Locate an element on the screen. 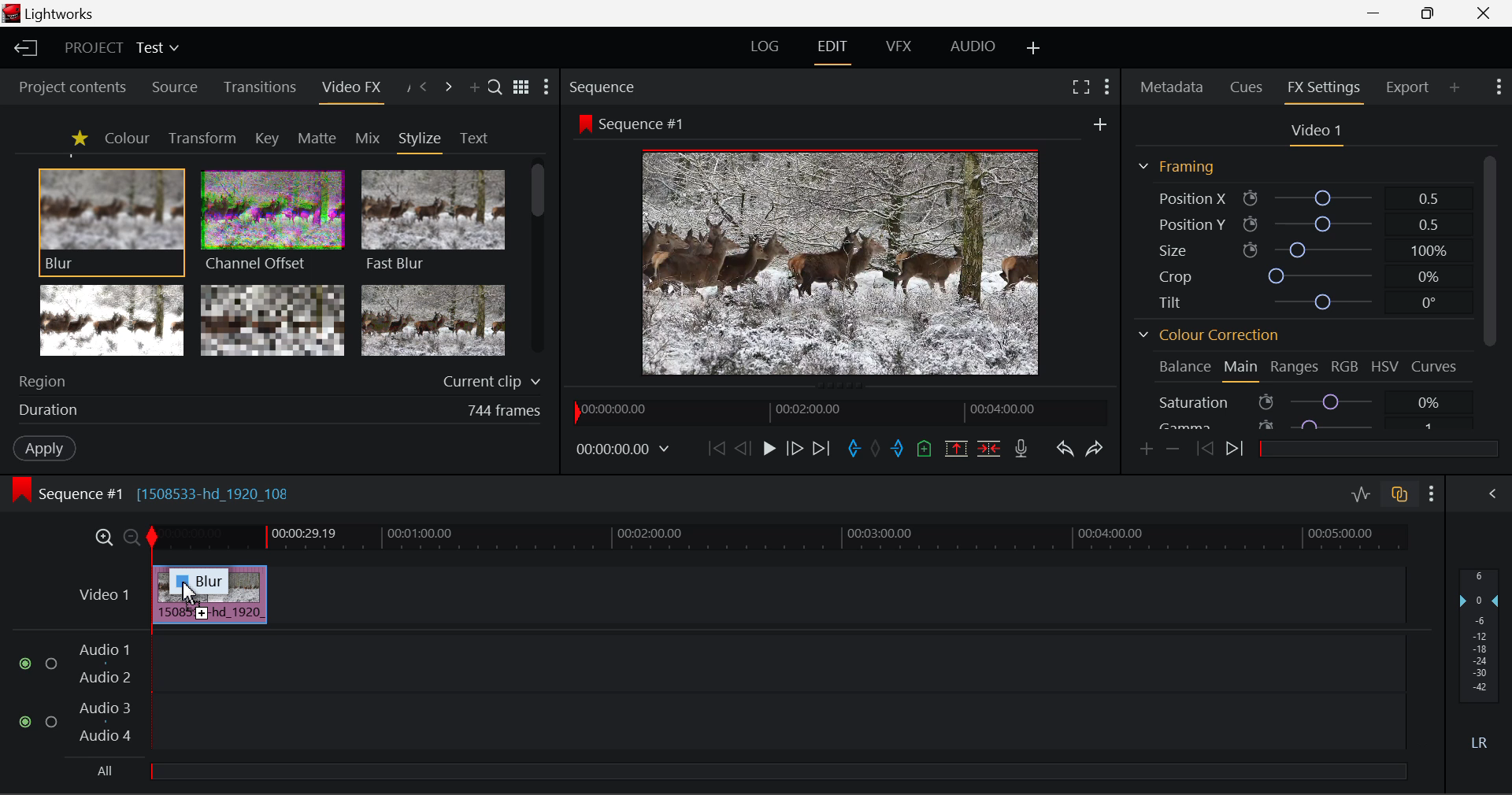 This screenshot has height=795, width=1512. Full Screen is located at coordinates (1080, 87).